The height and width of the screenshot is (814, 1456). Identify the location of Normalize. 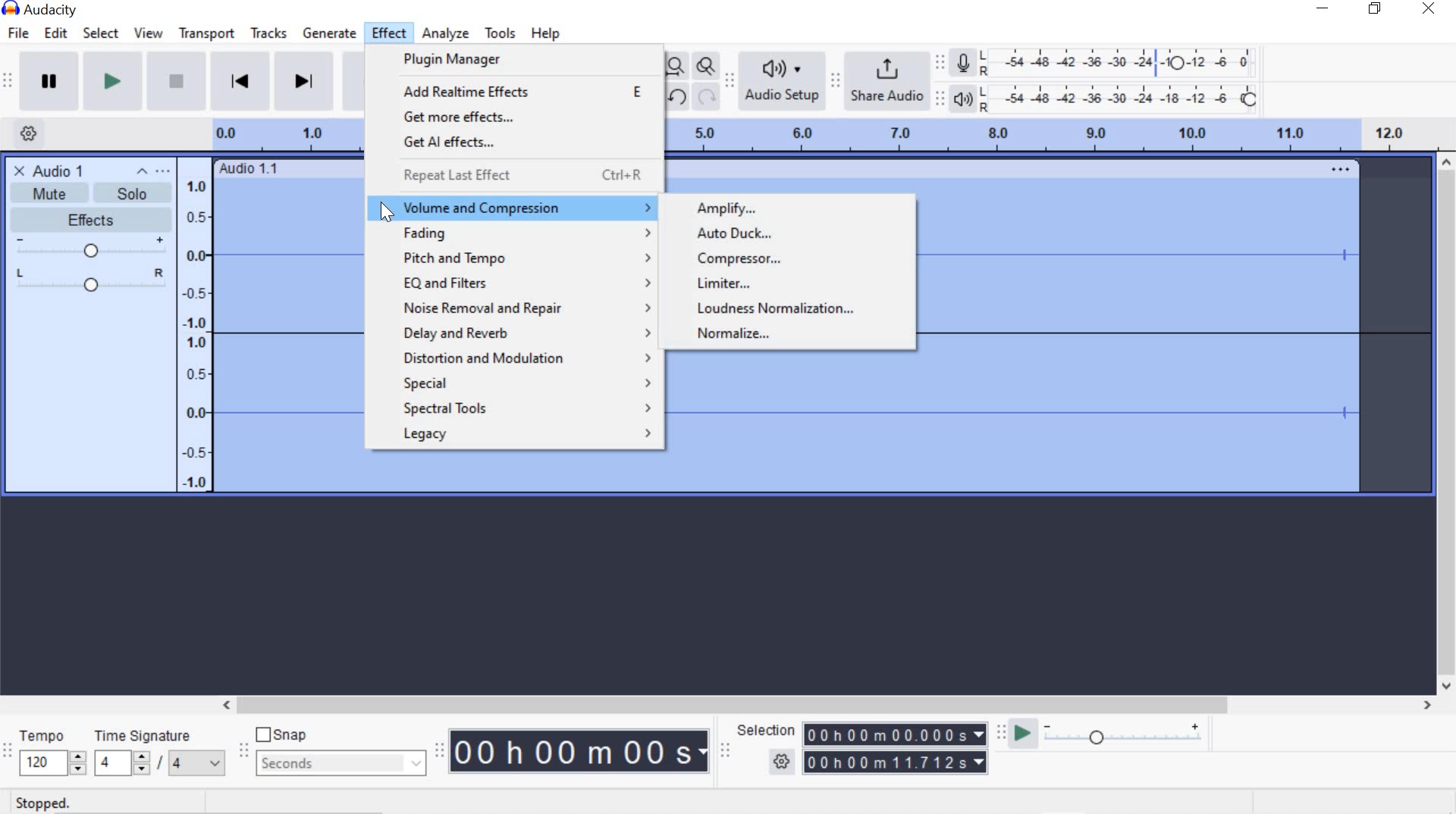
(739, 333).